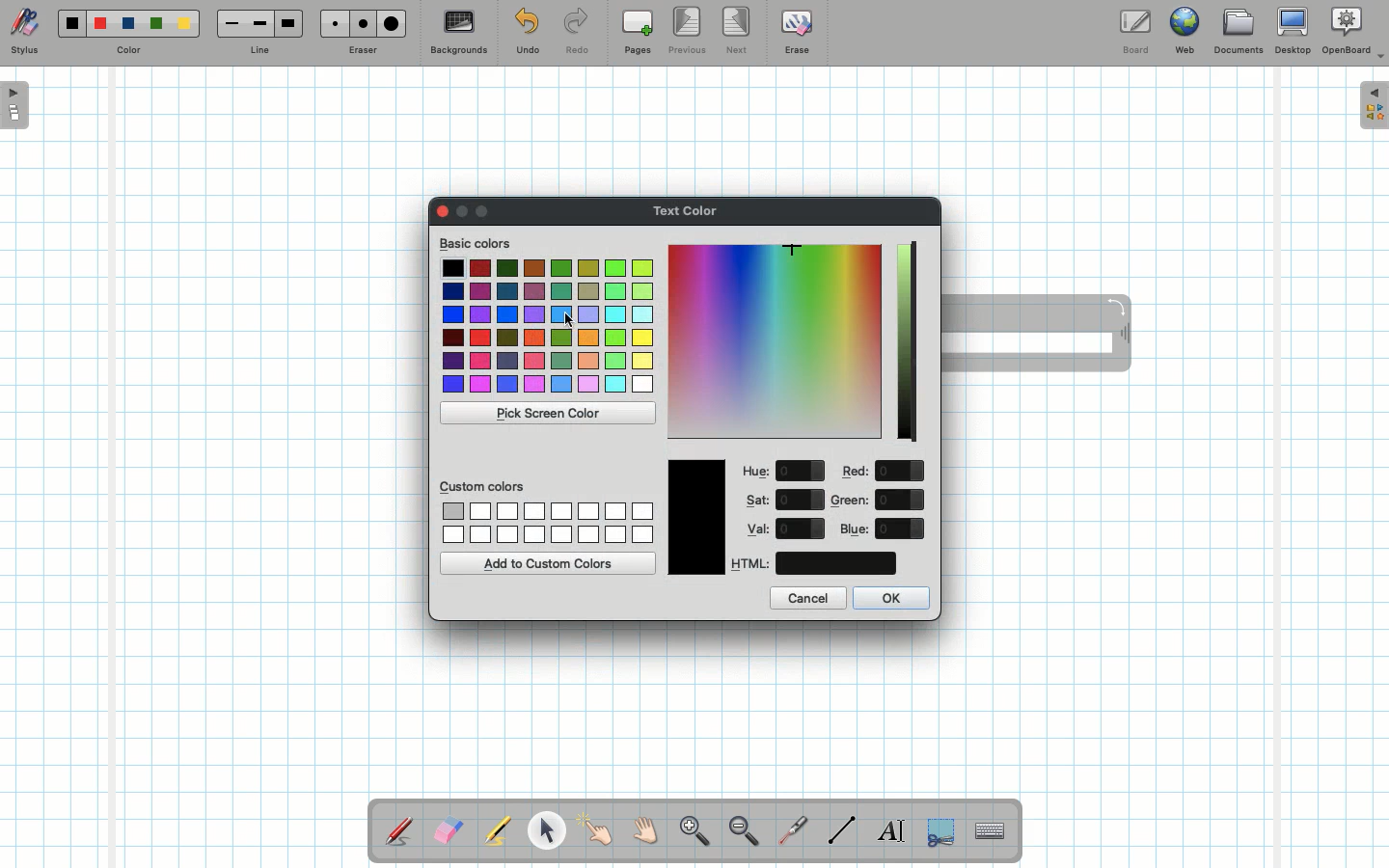 The height and width of the screenshot is (868, 1389). What do you see at coordinates (888, 598) in the screenshot?
I see `OK` at bounding box center [888, 598].